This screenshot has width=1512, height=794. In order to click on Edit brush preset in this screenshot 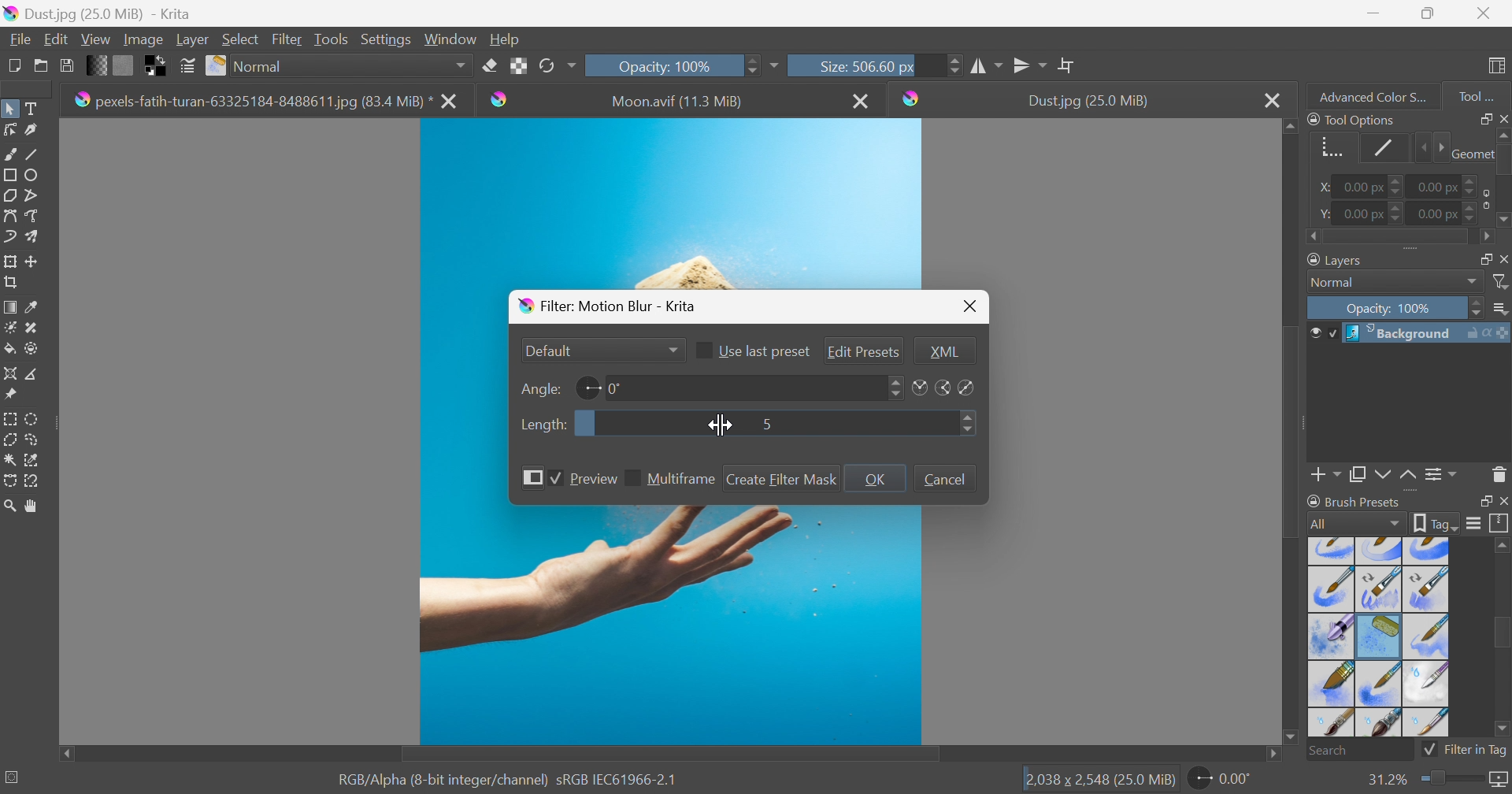, I will do `click(187, 66)`.